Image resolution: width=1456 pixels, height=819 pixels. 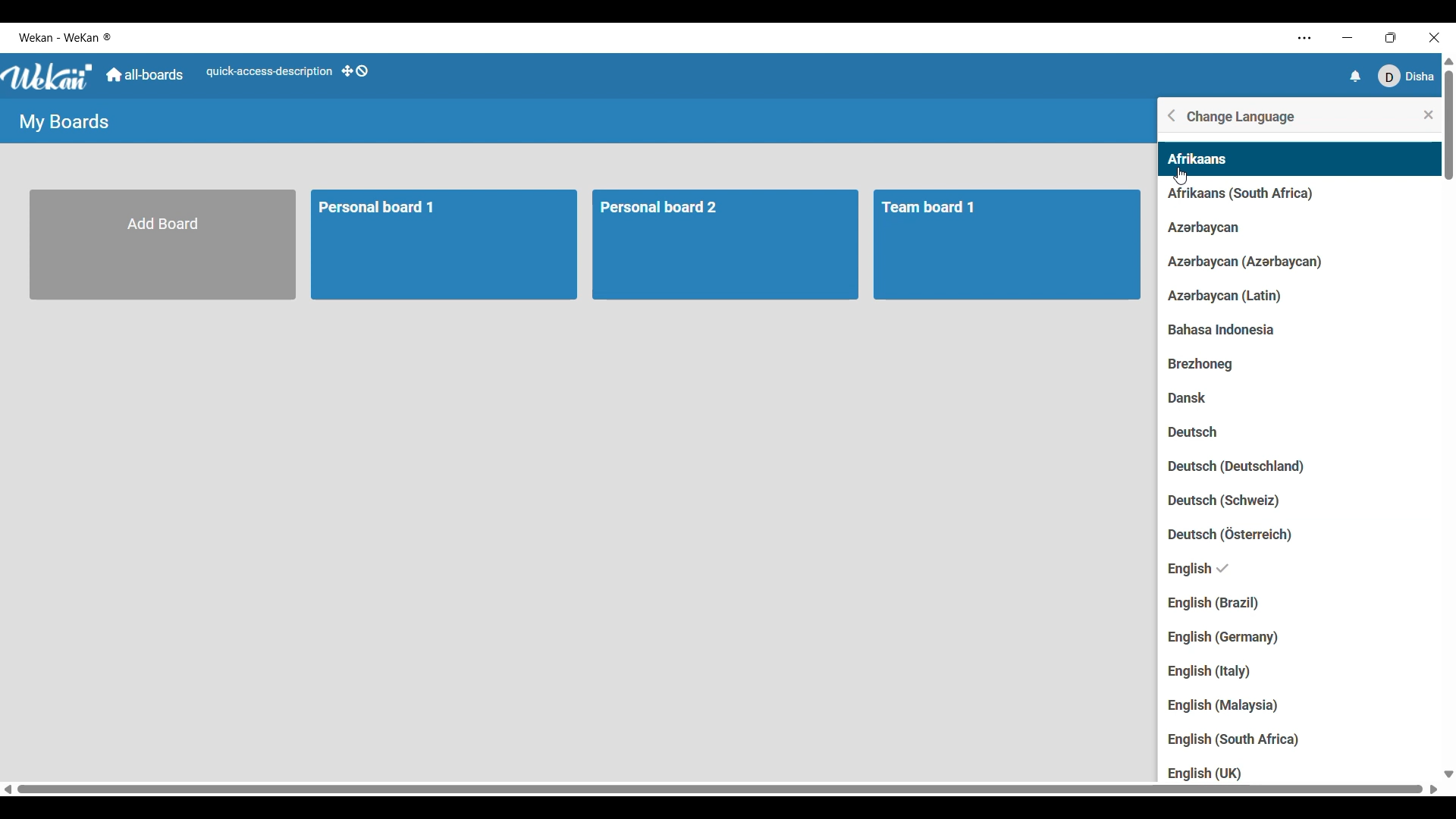 I want to click on More settings, so click(x=1304, y=39).